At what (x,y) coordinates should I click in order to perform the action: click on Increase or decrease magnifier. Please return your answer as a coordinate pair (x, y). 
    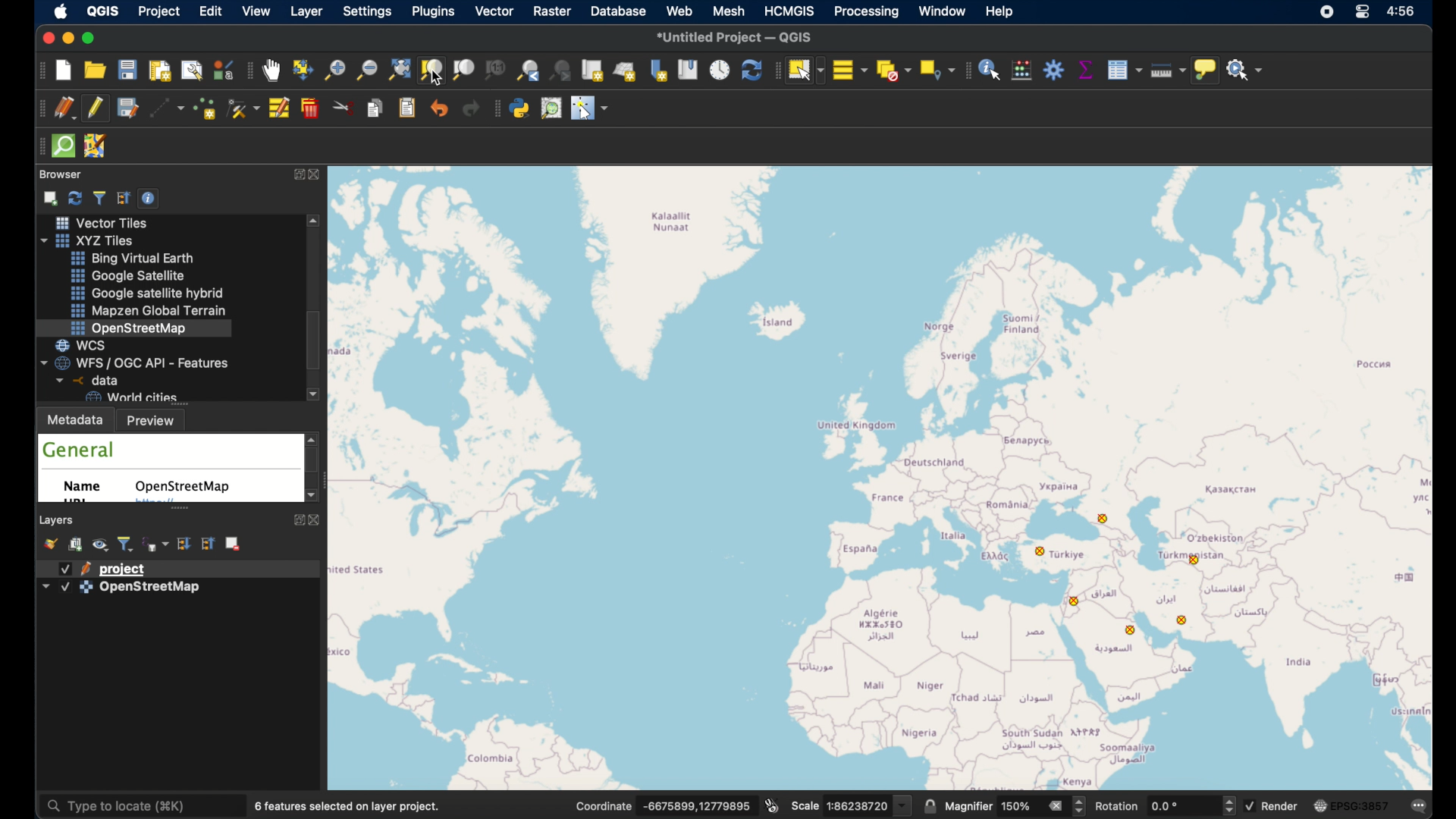
    Looking at the image, I should click on (1081, 806).